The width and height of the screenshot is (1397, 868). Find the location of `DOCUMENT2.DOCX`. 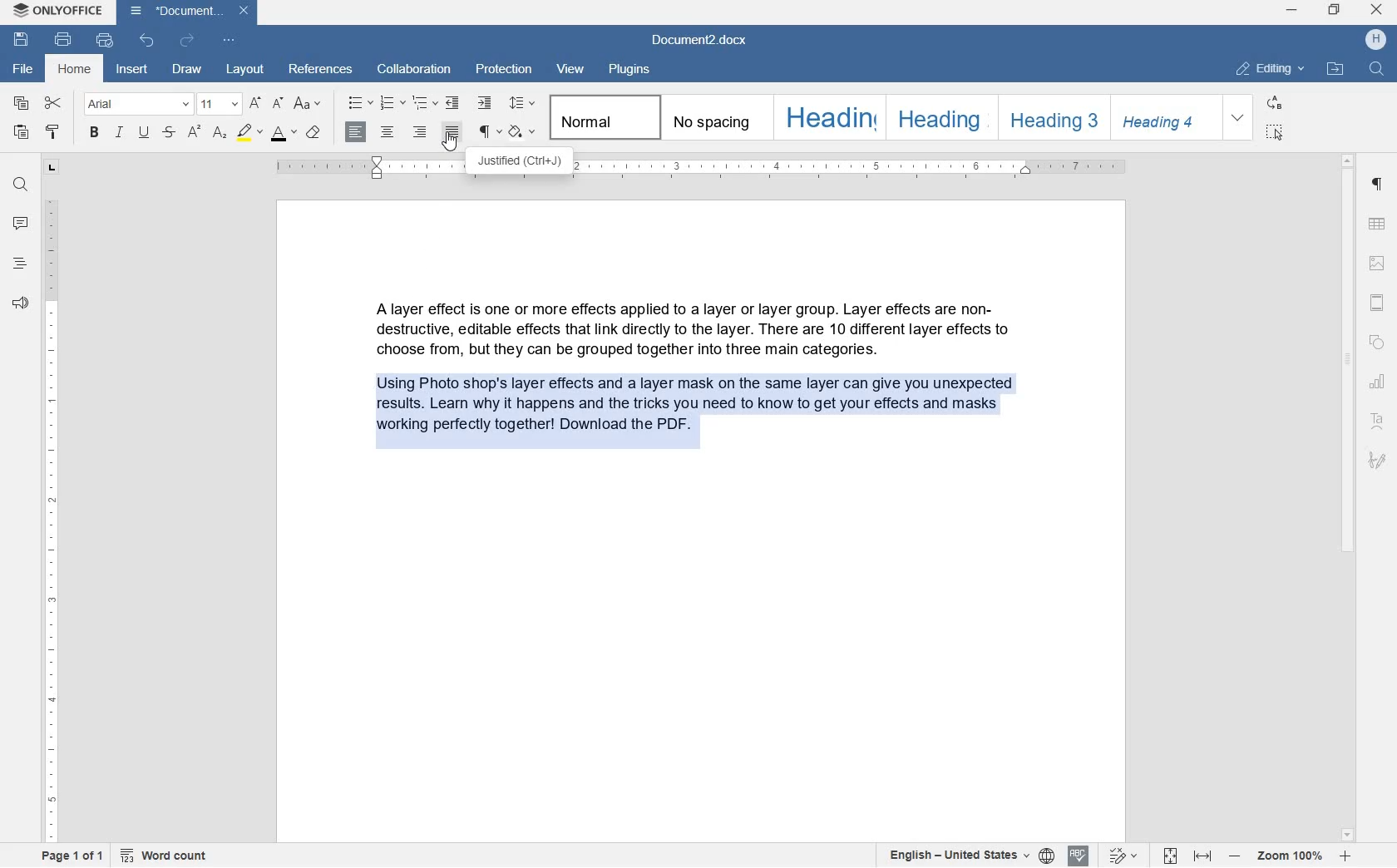

DOCUMENT2.DOCX is located at coordinates (703, 41).